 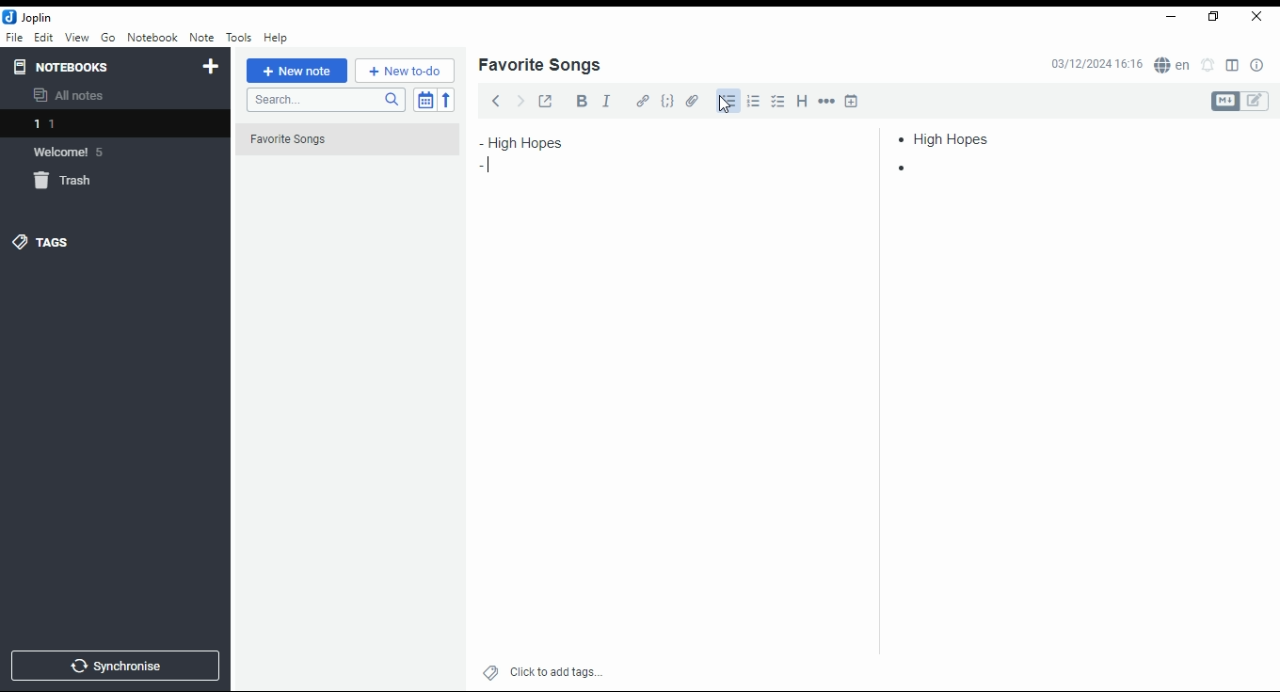 What do you see at coordinates (1240, 101) in the screenshot?
I see `toggle editors` at bounding box center [1240, 101].